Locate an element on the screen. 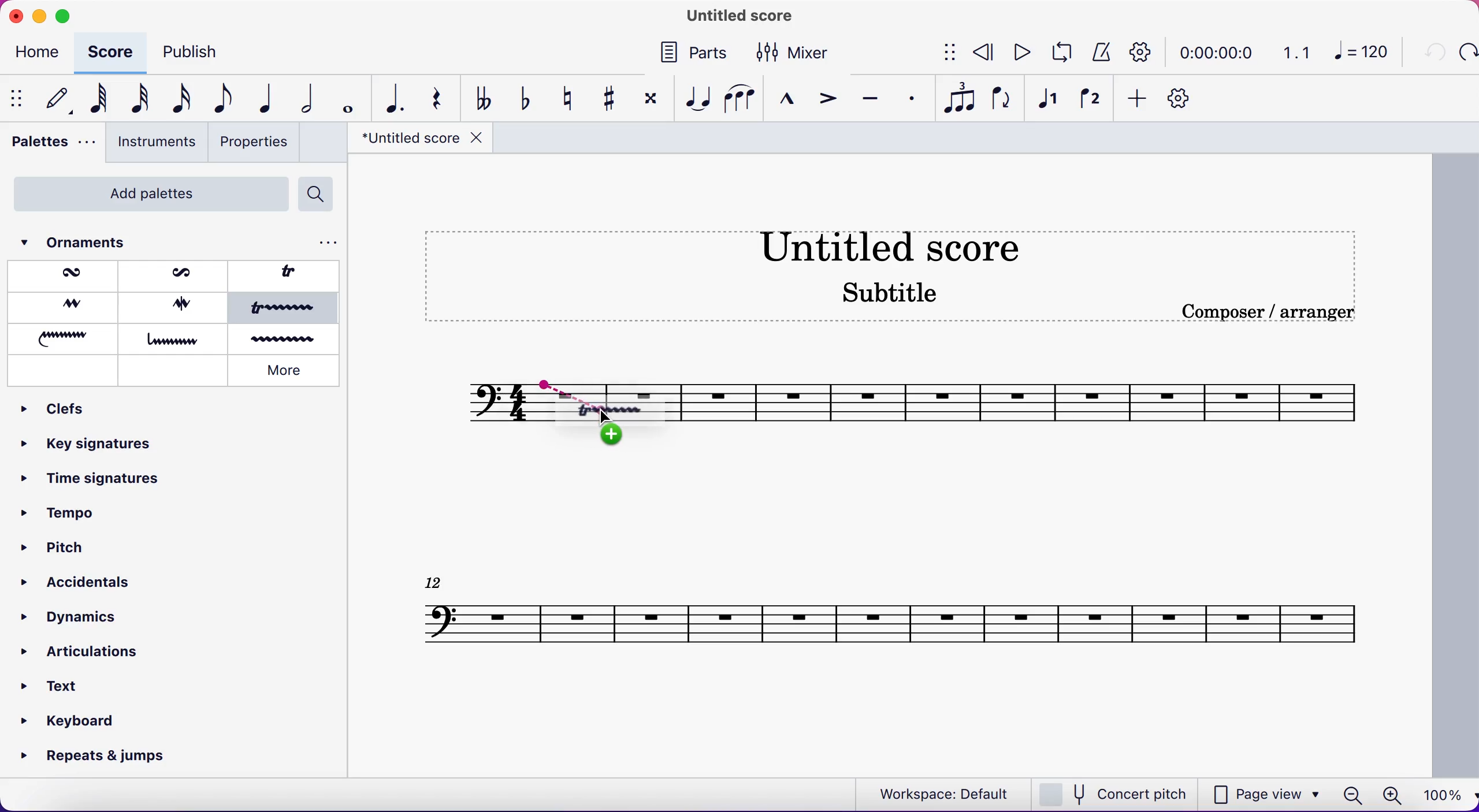 This screenshot has width=1479, height=812. add is located at coordinates (618, 437).